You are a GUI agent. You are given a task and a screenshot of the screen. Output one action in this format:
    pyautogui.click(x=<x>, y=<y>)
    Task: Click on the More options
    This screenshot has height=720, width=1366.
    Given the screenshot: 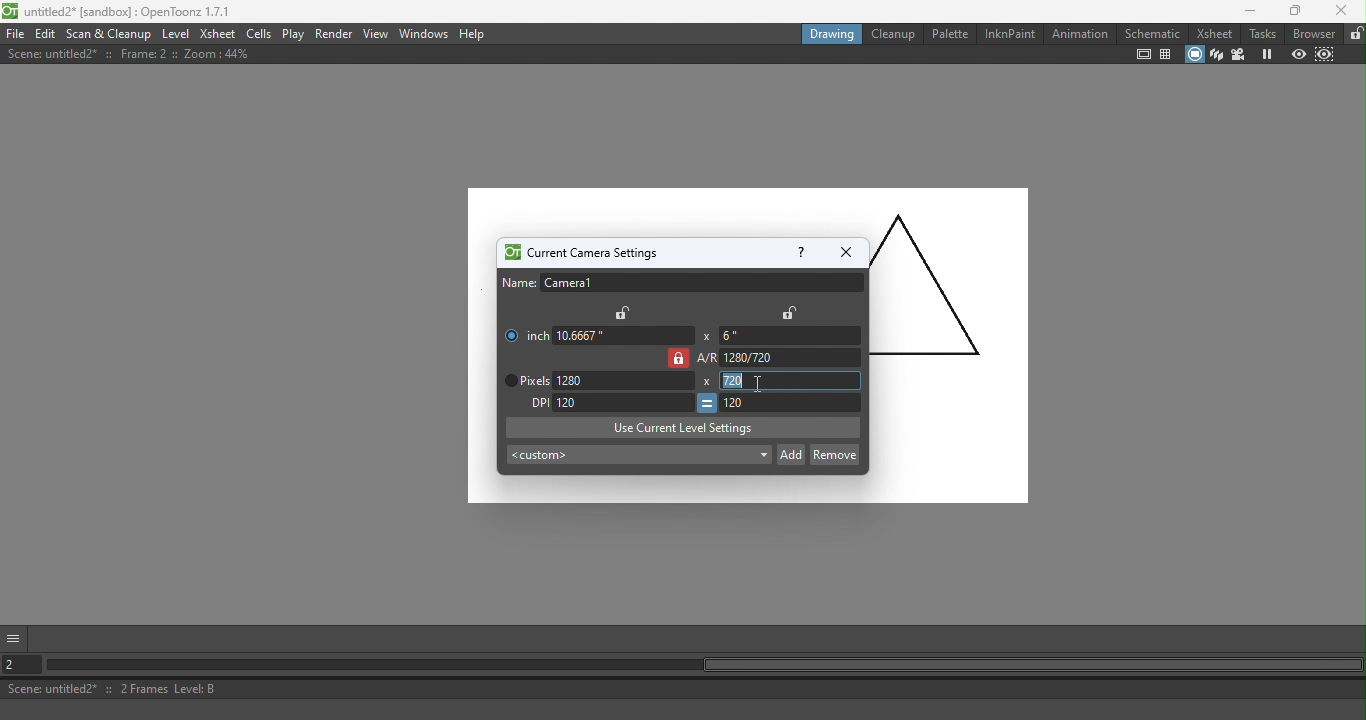 What is the action you would take?
    pyautogui.click(x=16, y=637)
    